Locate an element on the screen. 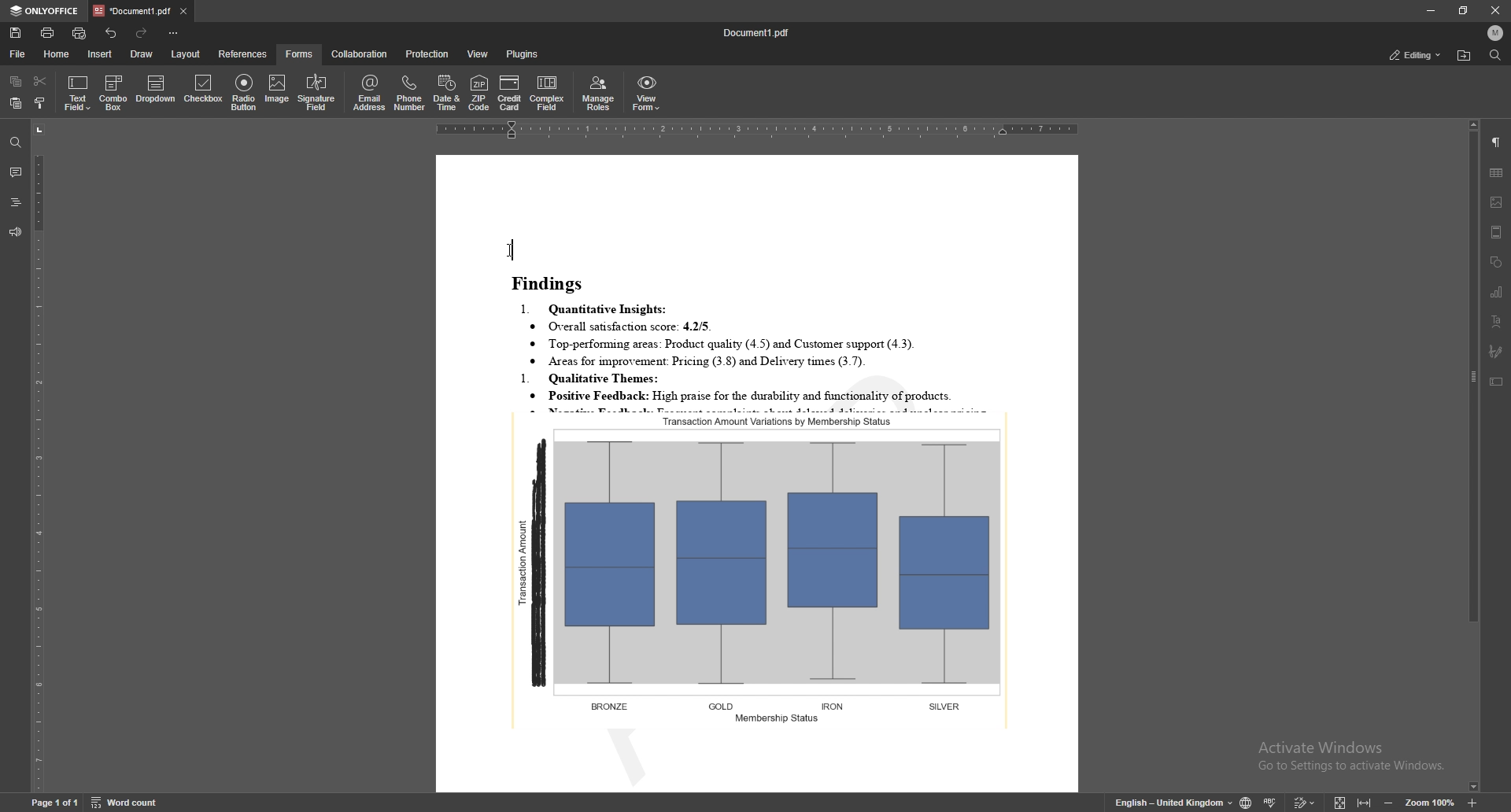 The image size is (1511, 812). fit to width is located at coordinates (1364, 804).